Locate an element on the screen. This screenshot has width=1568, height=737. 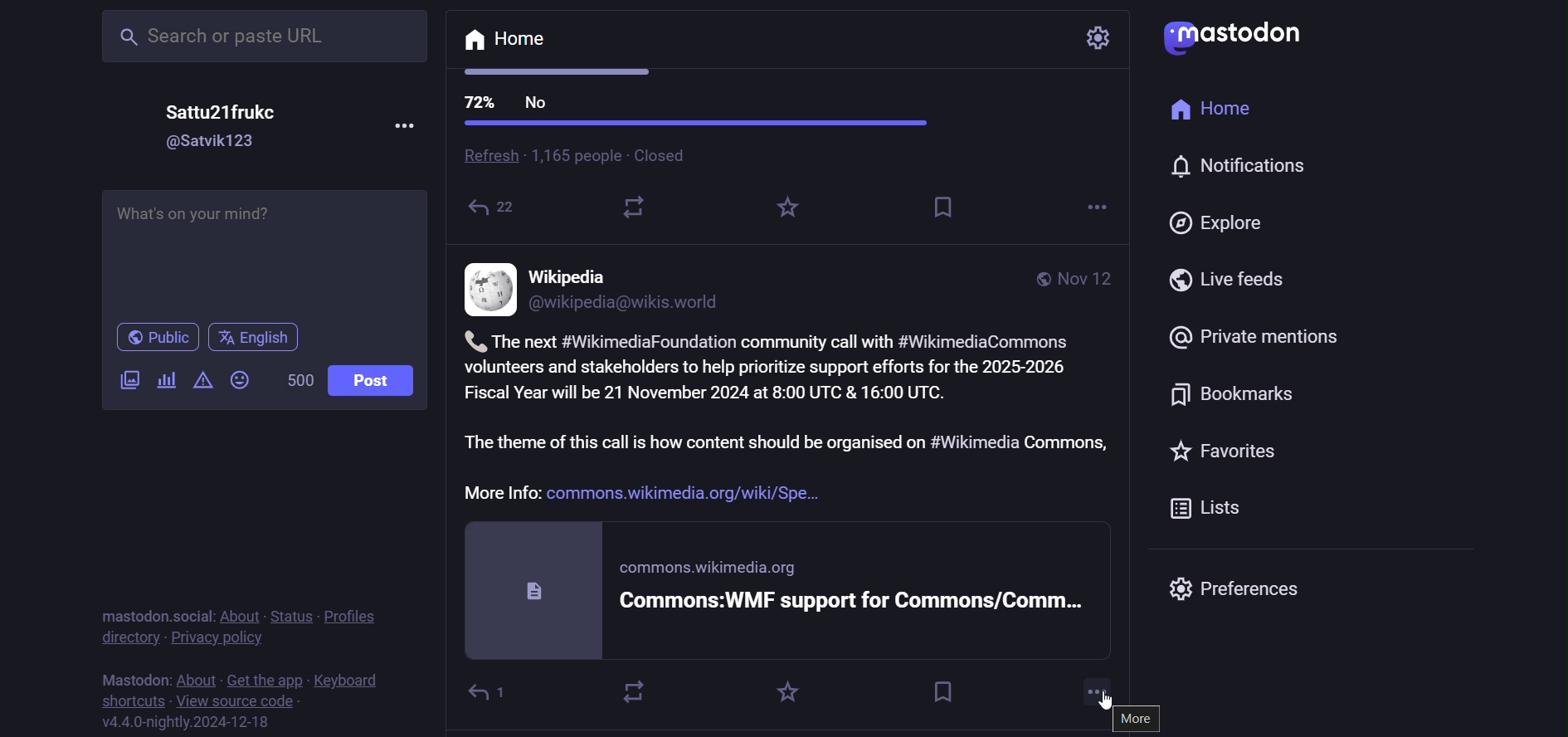
post here is located at coordinates (260, 246).